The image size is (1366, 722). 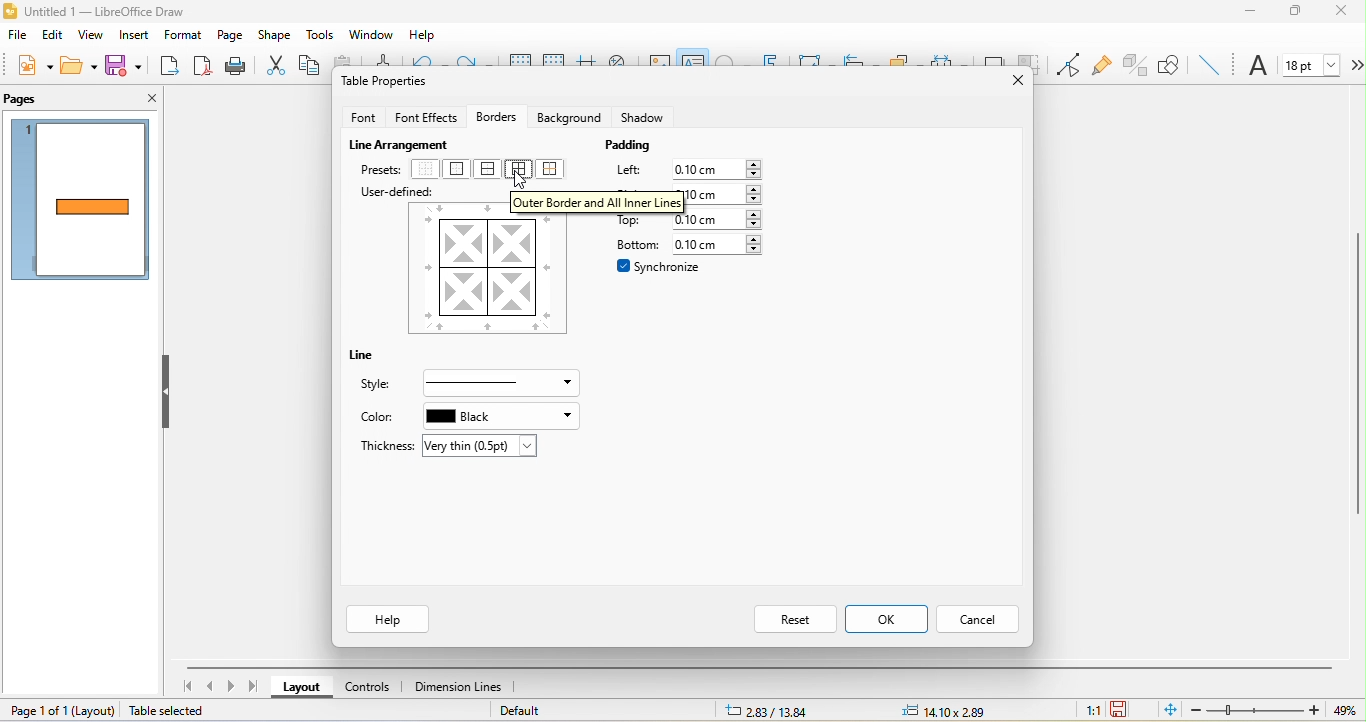 What do you see at coordinates (170, 712) in the screenshot?
I see `table selected` at bounding box center [170, 712].